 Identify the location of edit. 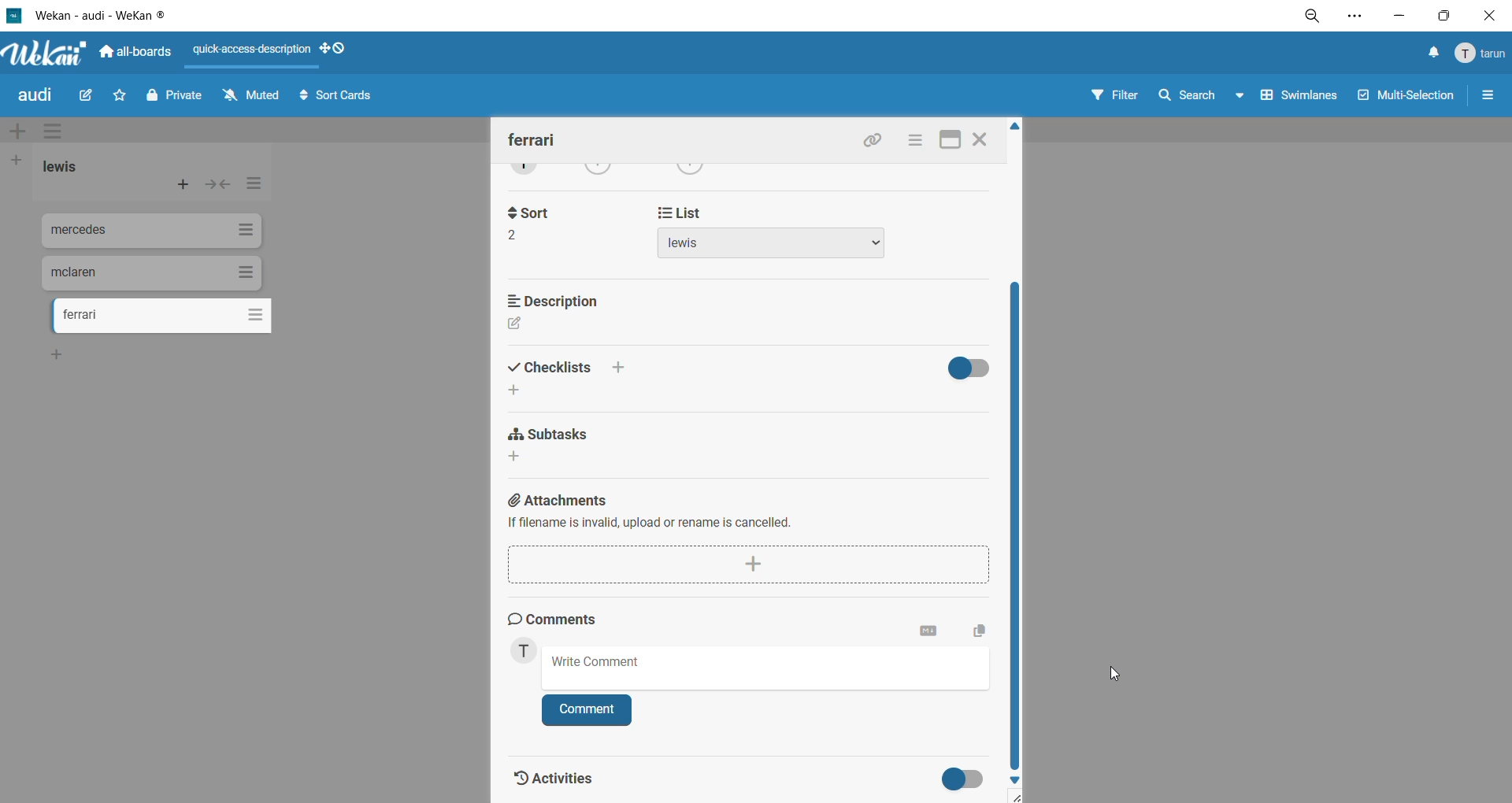
(93, 96).